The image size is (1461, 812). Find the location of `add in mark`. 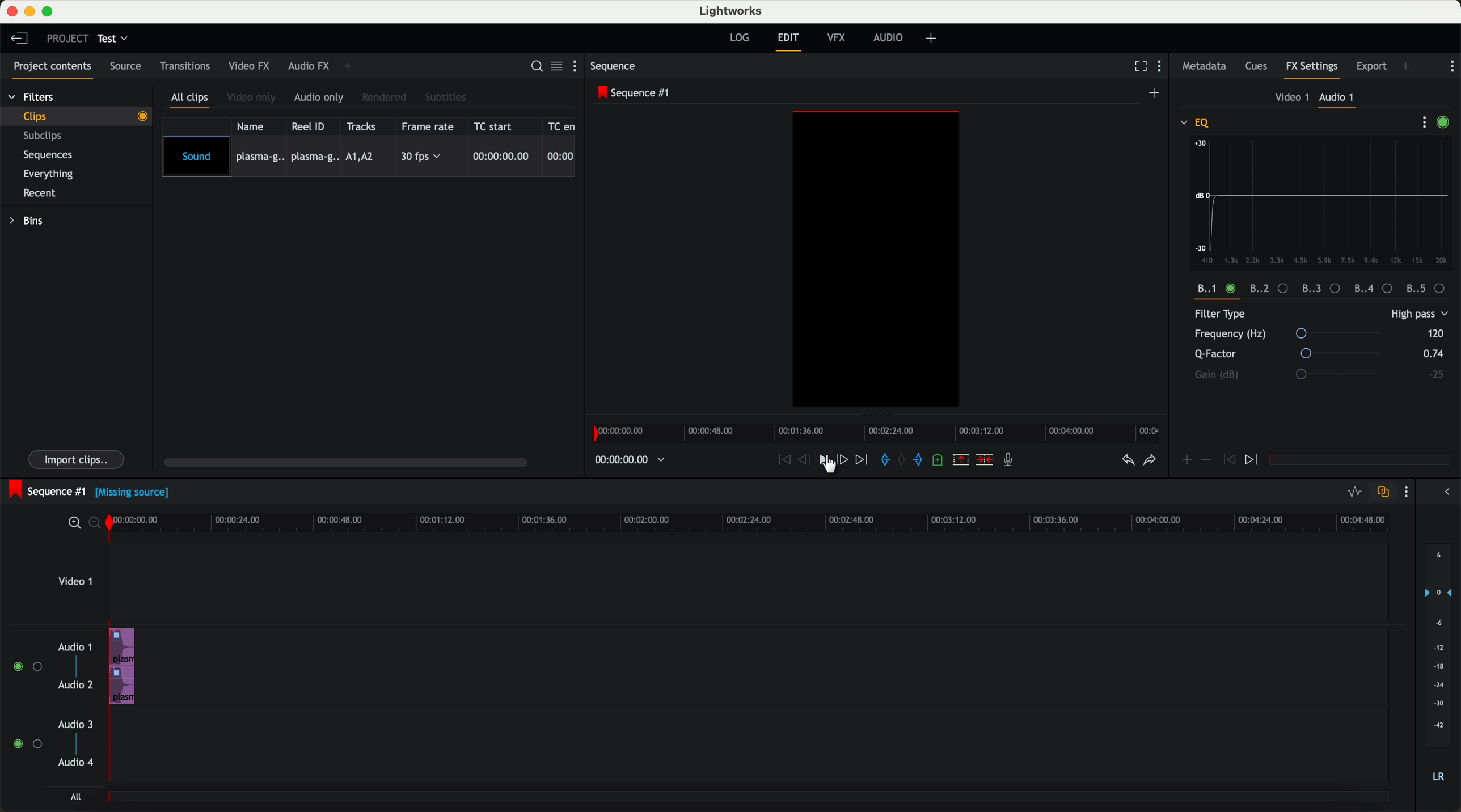

add in mark is located at coordinates (886, 460).